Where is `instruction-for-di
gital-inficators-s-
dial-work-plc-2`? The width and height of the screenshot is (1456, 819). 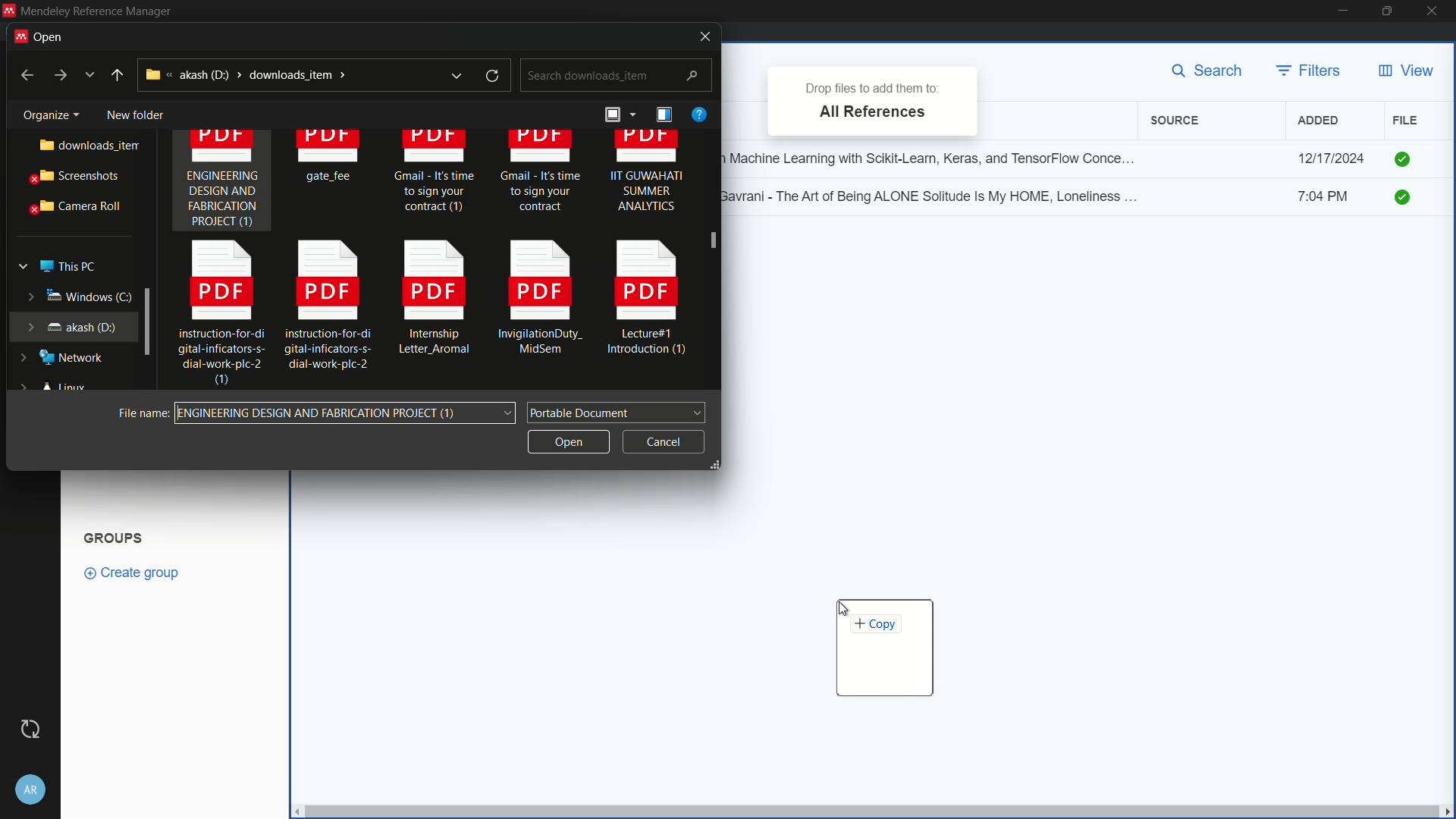 instruction-for-di
gital-inficators-s-
dial-work-plc-2 is located at coordinates (328, 304).